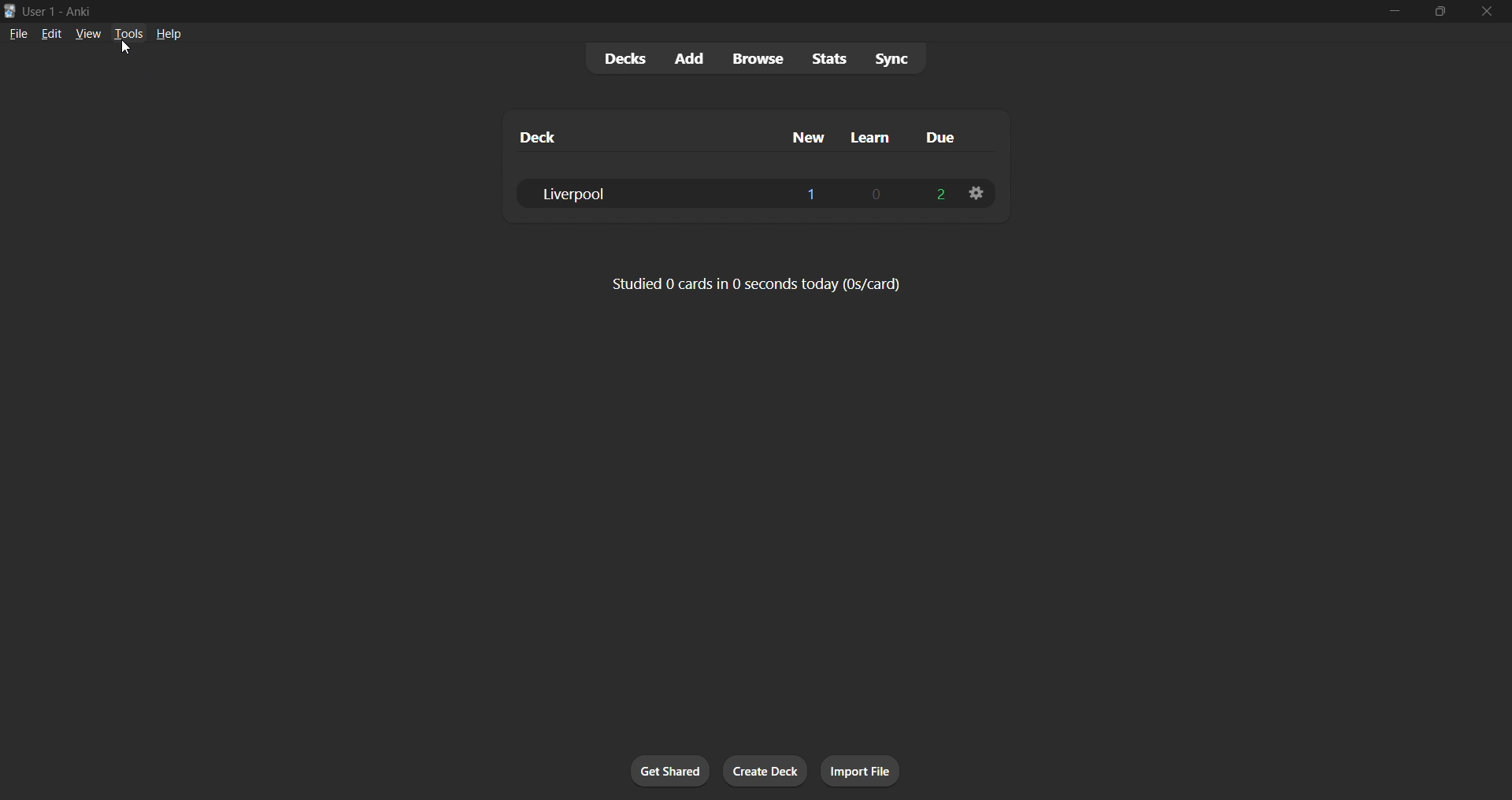 Image resolution: width=1512 pixels, height=800 pixels. What do you see at coordinates (976, 191) in the screenshot?
I see `liverpool deck options` at bounding box center [976, 191].